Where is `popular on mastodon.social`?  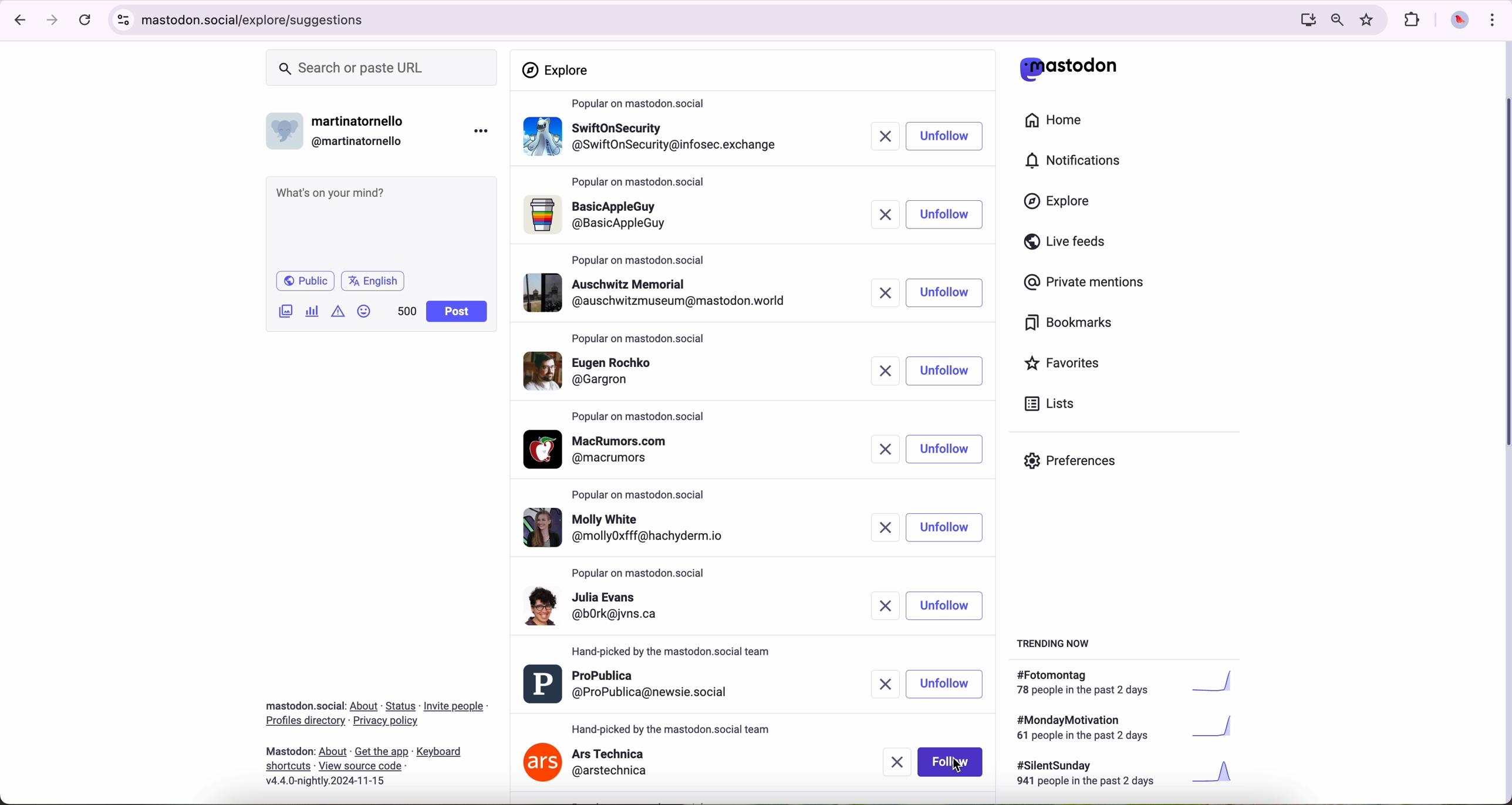 popular on mastodon.social is located at coordinates (643, 415).